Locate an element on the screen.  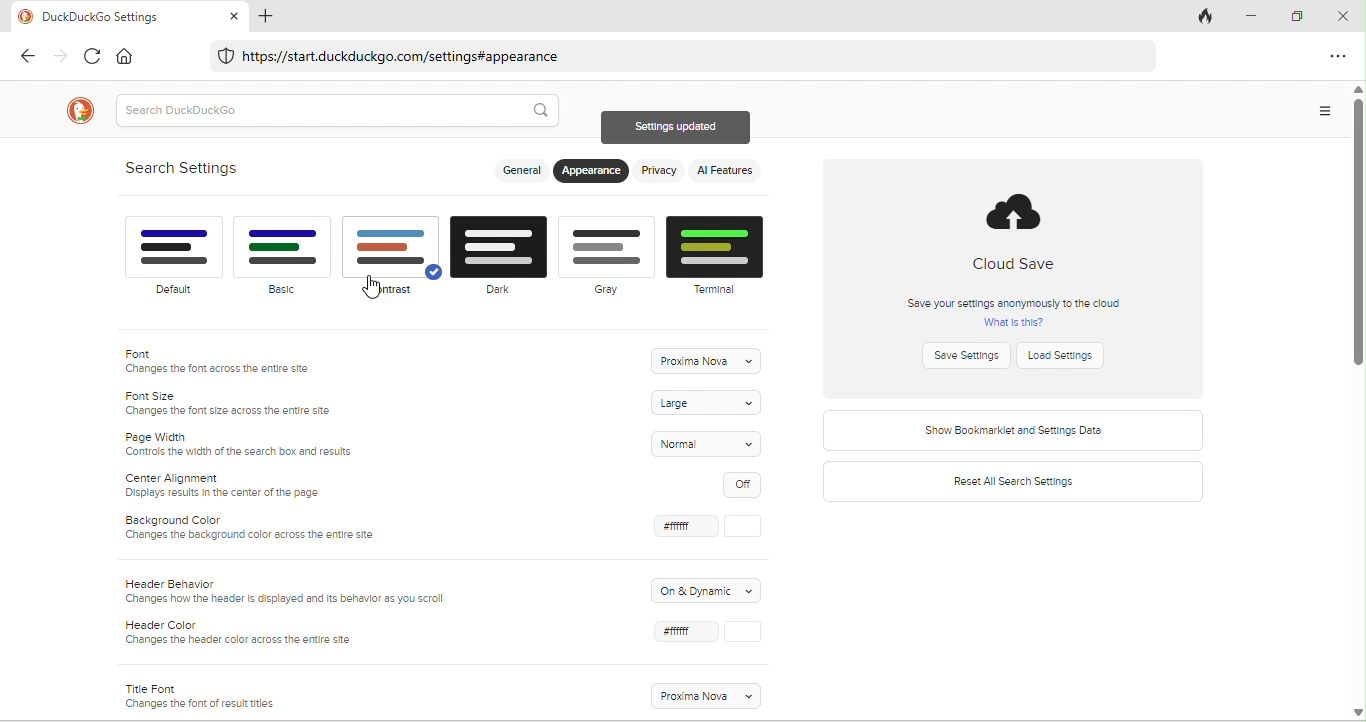
home is located at coordinates (125, 55).